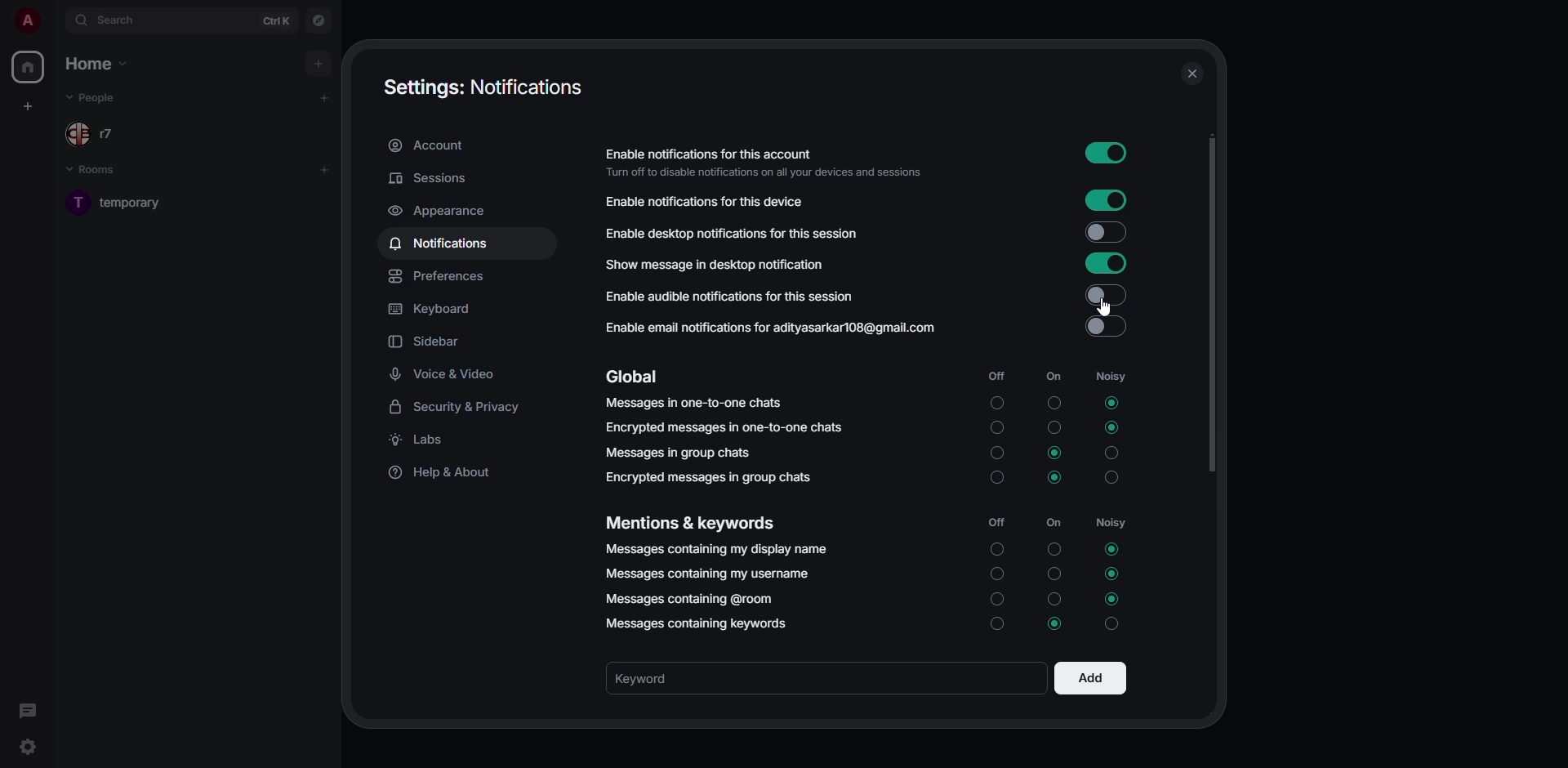 The image size is (1568, 768). What do you see at coordinates (764, 161) in the screenshot?
I see `enable notifications for this account` at bounding box center [764, 161].